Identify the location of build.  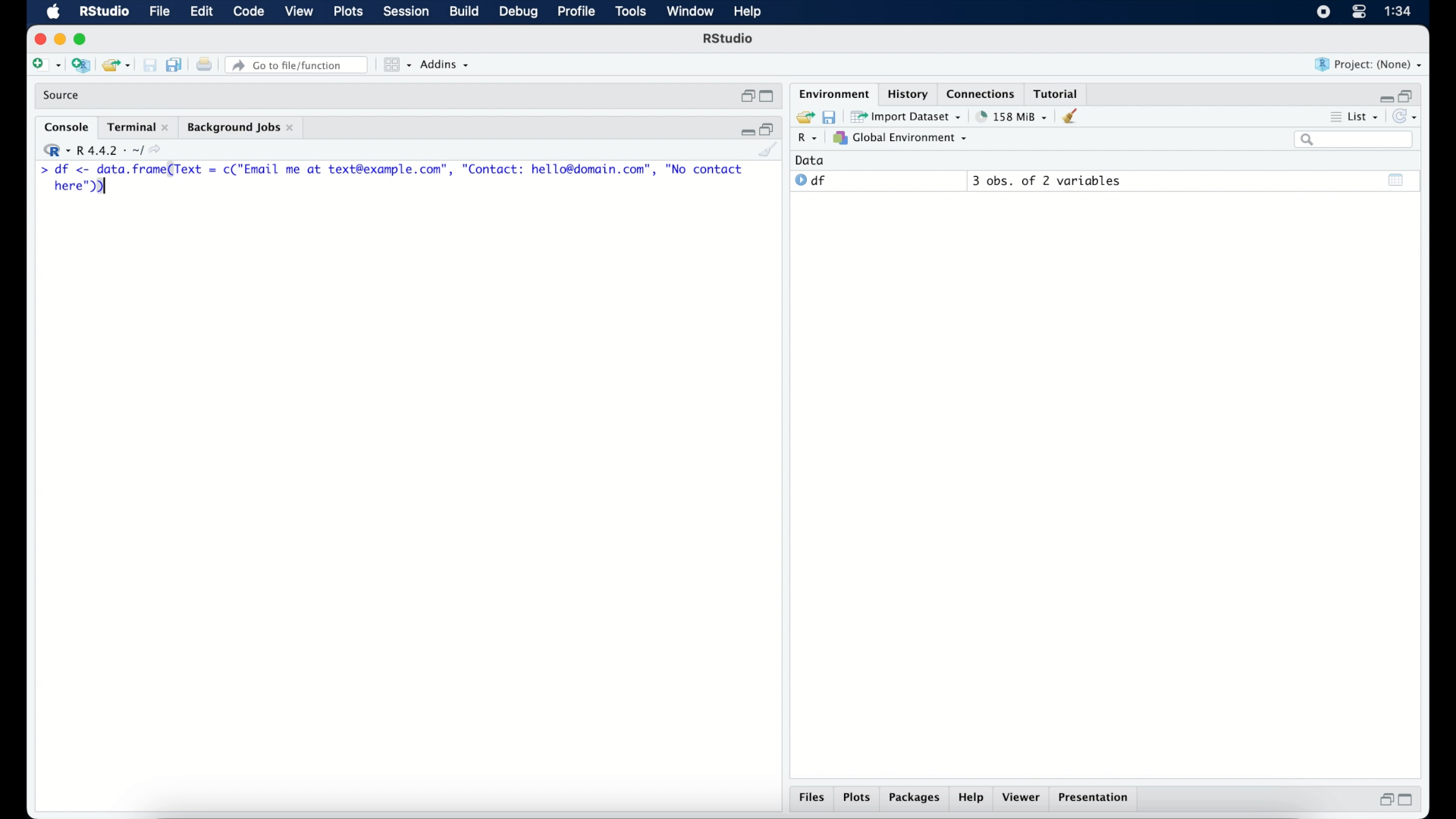
(465, 12).